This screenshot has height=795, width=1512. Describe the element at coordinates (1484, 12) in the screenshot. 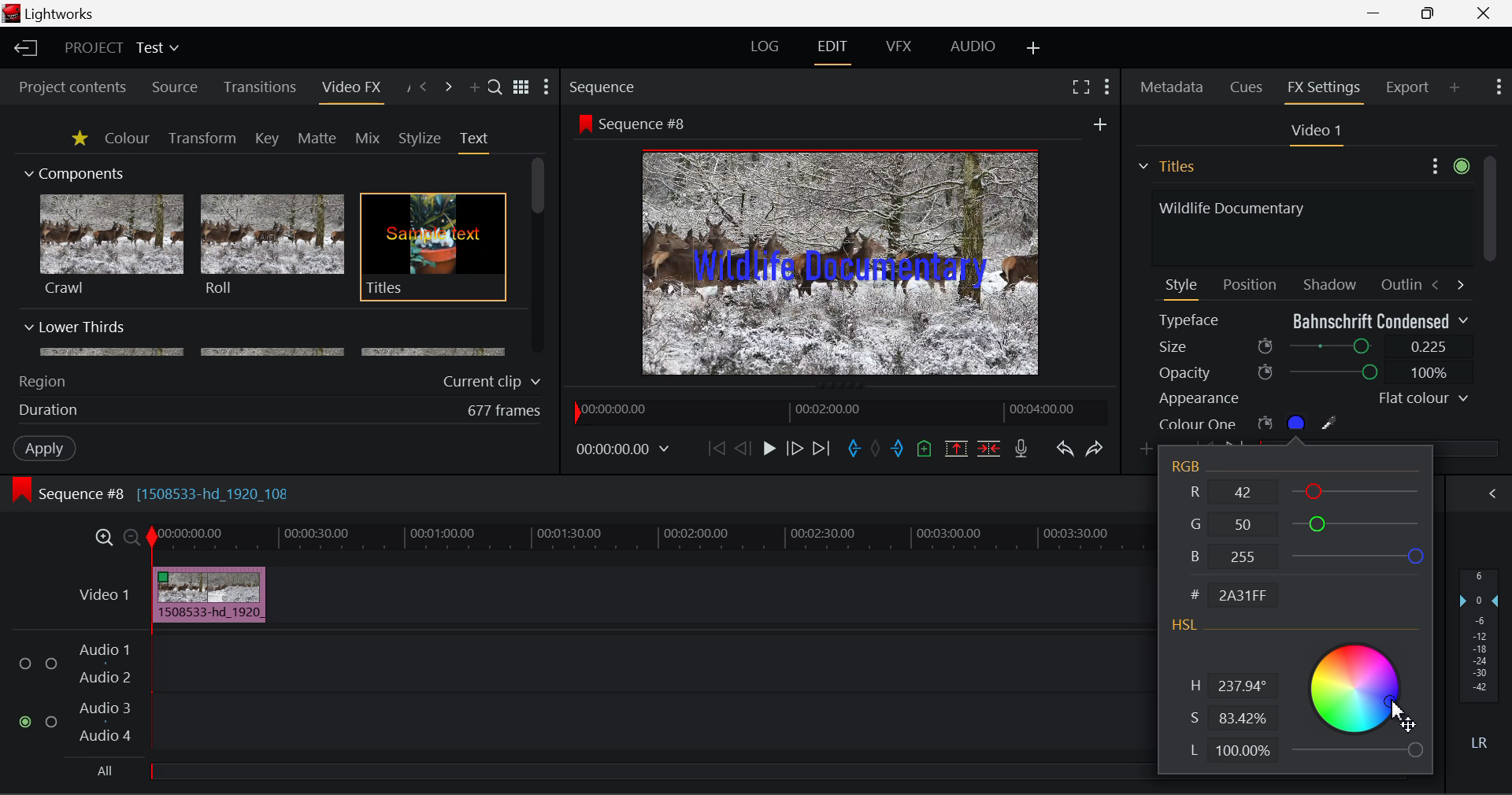

I see `Close` at that location.